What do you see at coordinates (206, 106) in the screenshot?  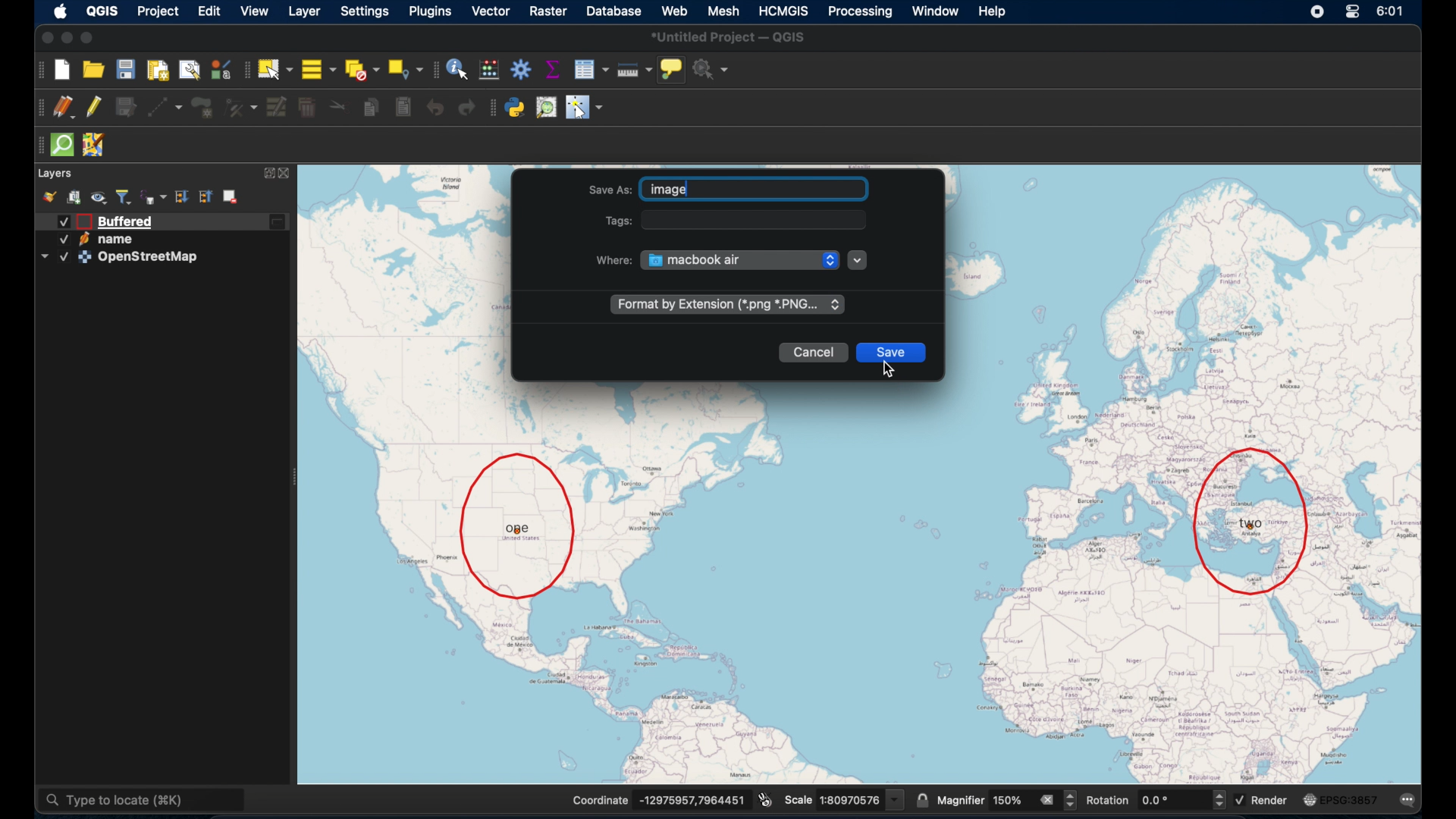 I see `add polygon feature` at bounding box center [206, 106].